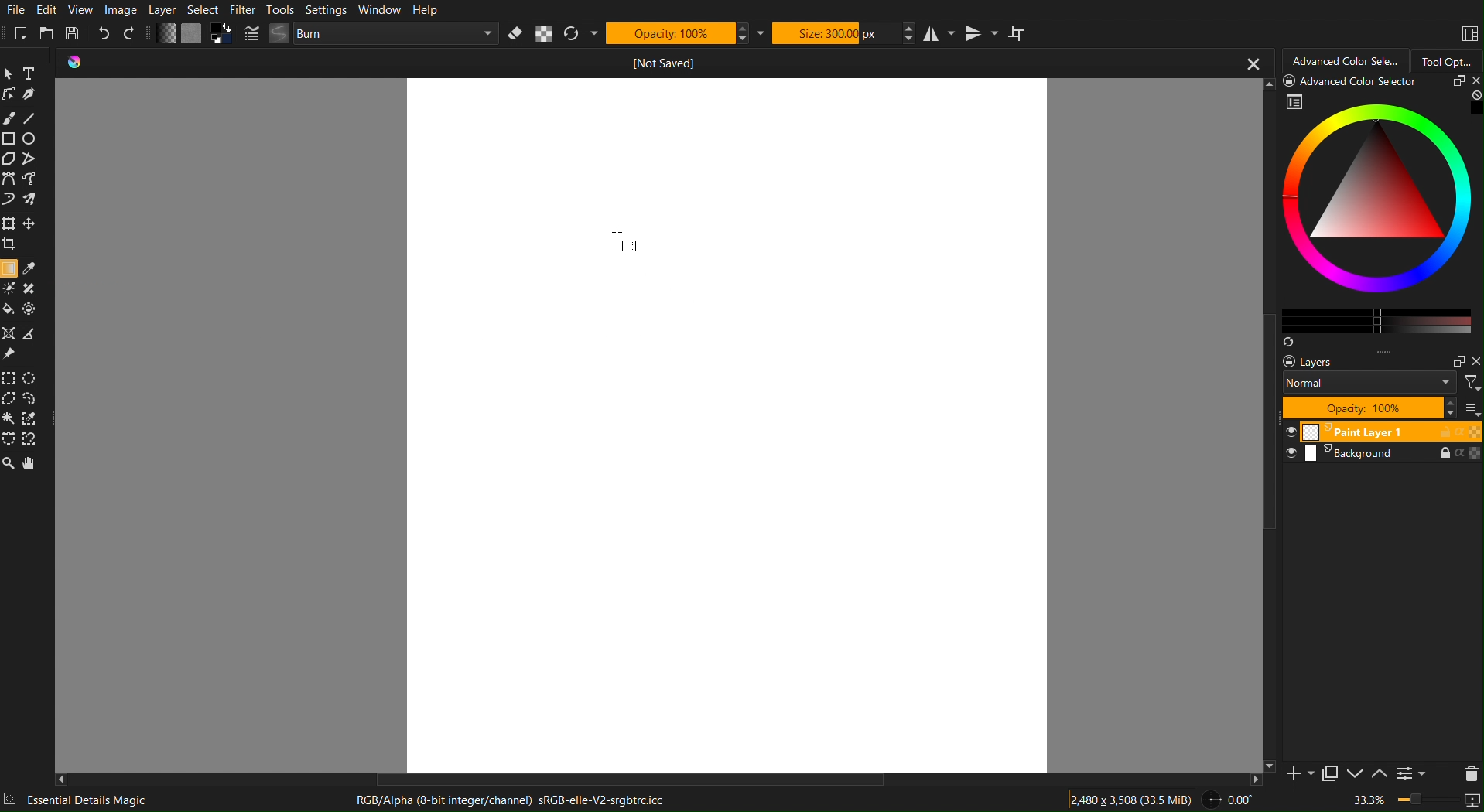 This screenshot has height=812, width=1484. Describe the element at coordinates (422, 11) in the screenshot. I see `Help` at that location.